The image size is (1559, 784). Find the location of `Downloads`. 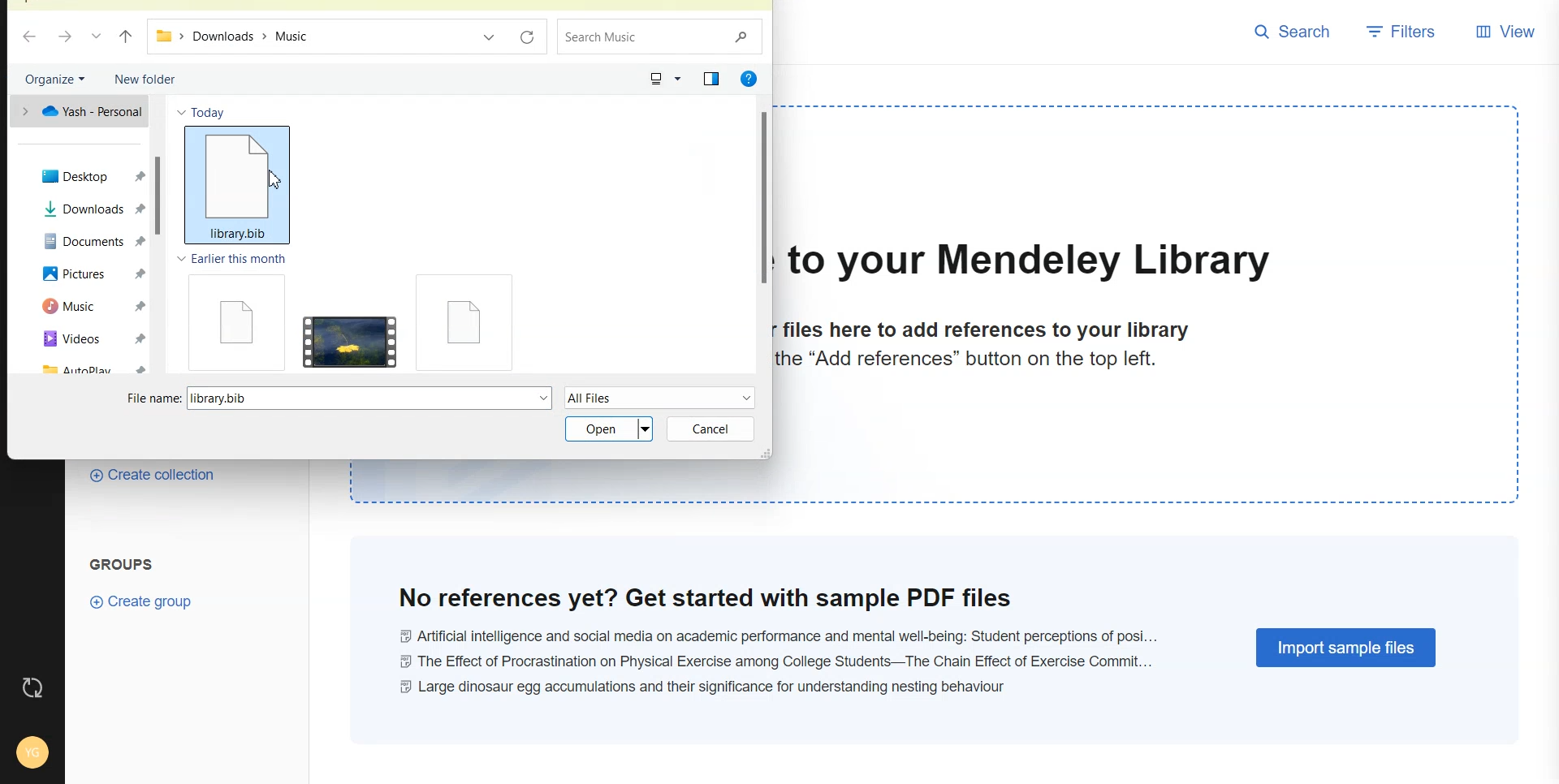

Downloads is located at coordinates (90, 208).